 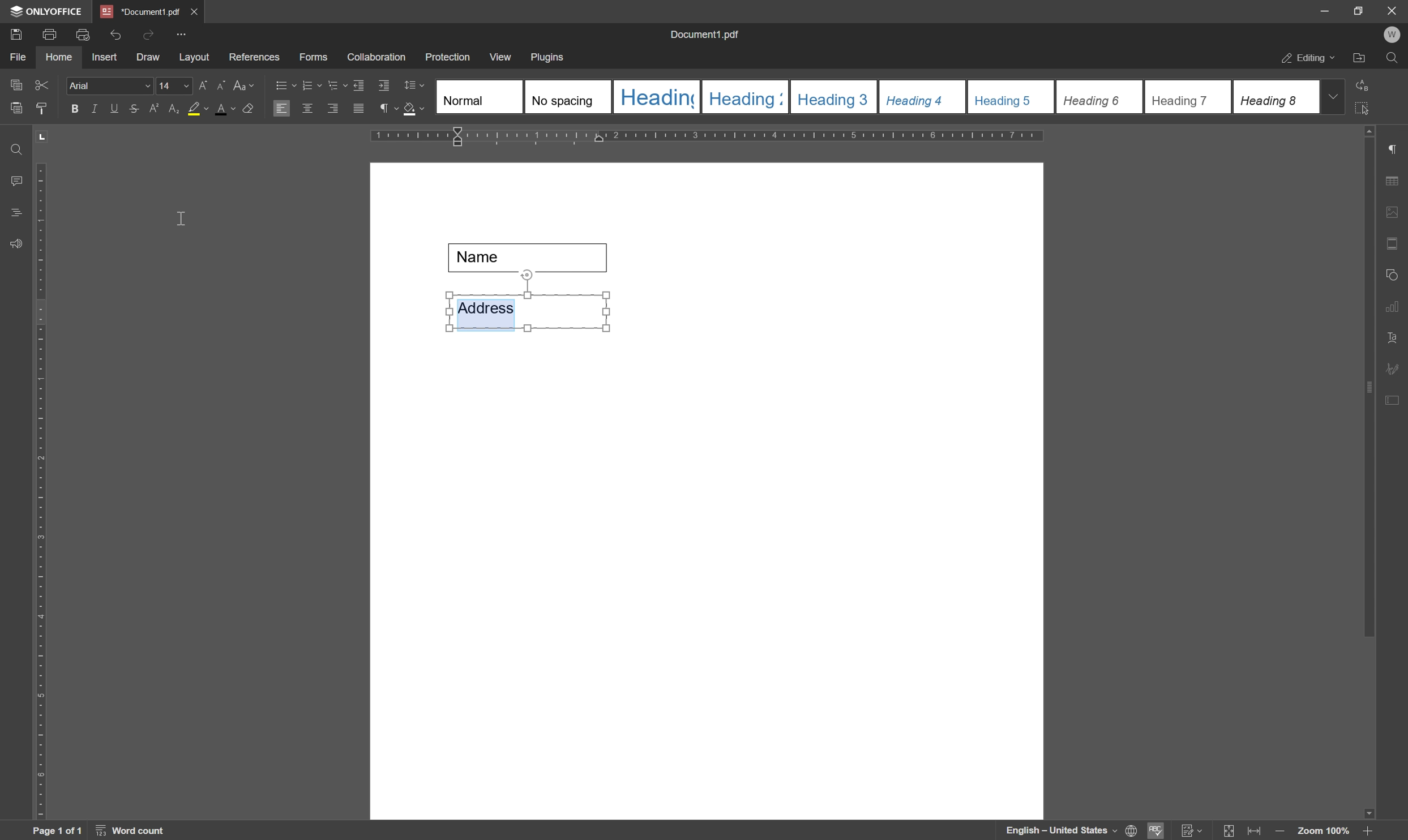 I want to click on track changes, so click(x=1191, y=831).